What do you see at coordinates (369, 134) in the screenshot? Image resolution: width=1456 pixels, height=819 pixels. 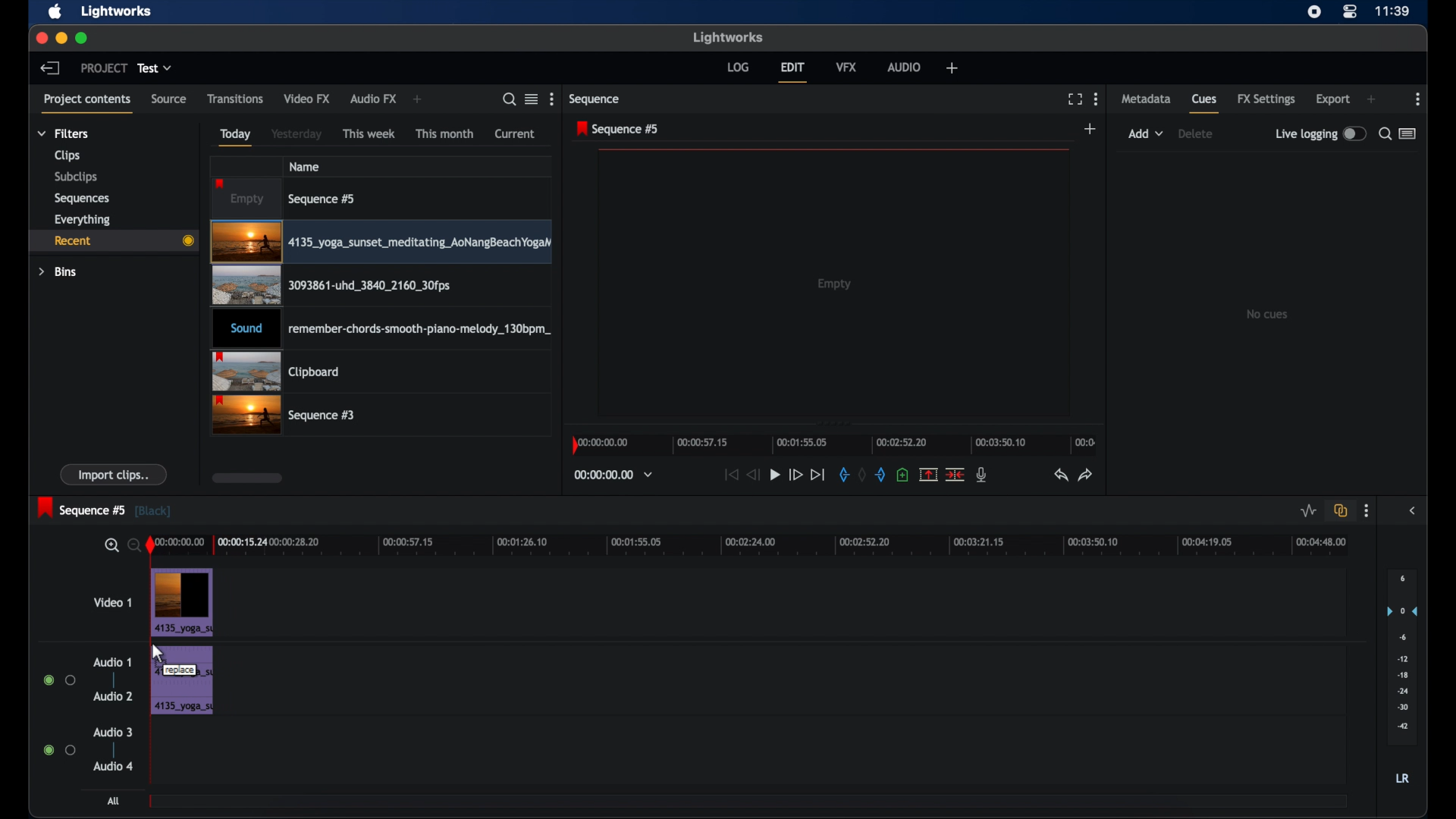 I see `this week` at bounding box center [369, 134].